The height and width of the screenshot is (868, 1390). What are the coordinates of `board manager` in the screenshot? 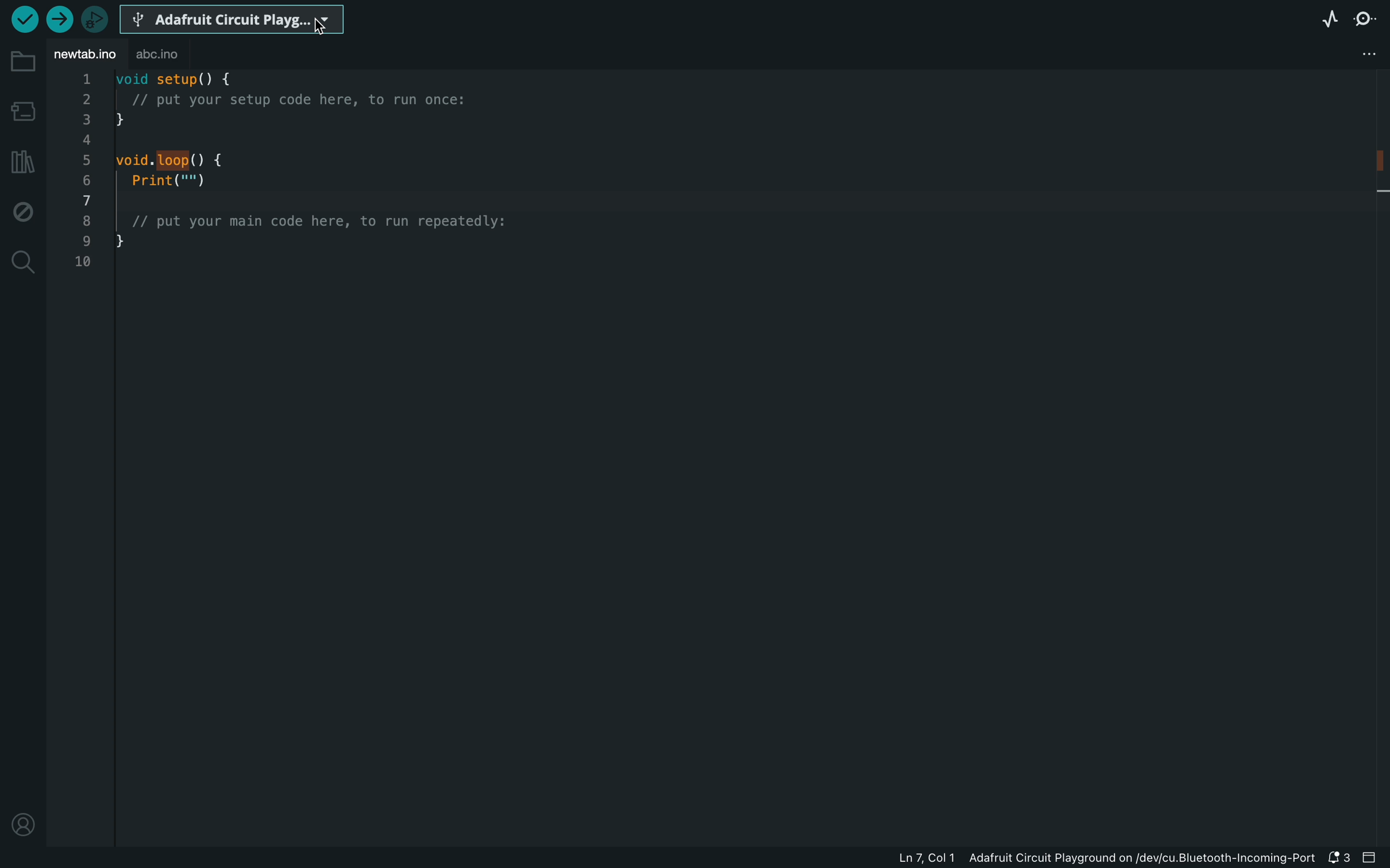 It's located at (24, 110).